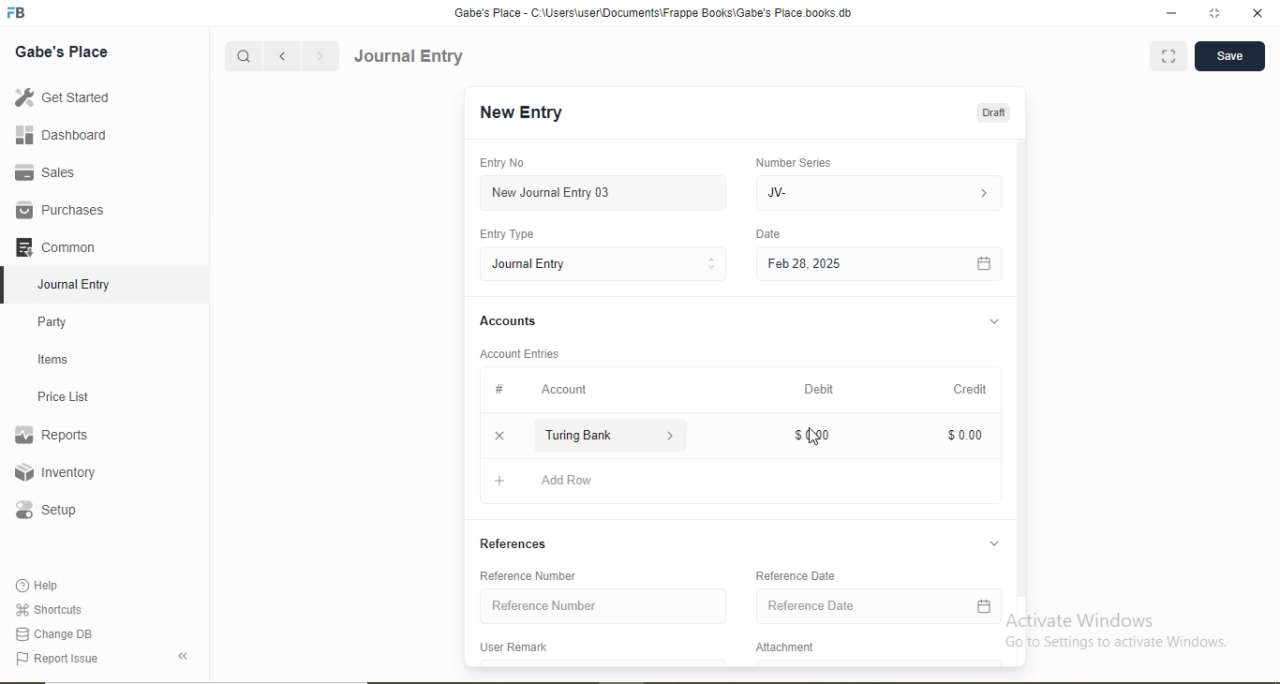 The height and width of the screenshot is (684, 1280). What do you see at coordinates (53, 359) in the screenshot?
I see `Items` at bounding box center [53, 359].